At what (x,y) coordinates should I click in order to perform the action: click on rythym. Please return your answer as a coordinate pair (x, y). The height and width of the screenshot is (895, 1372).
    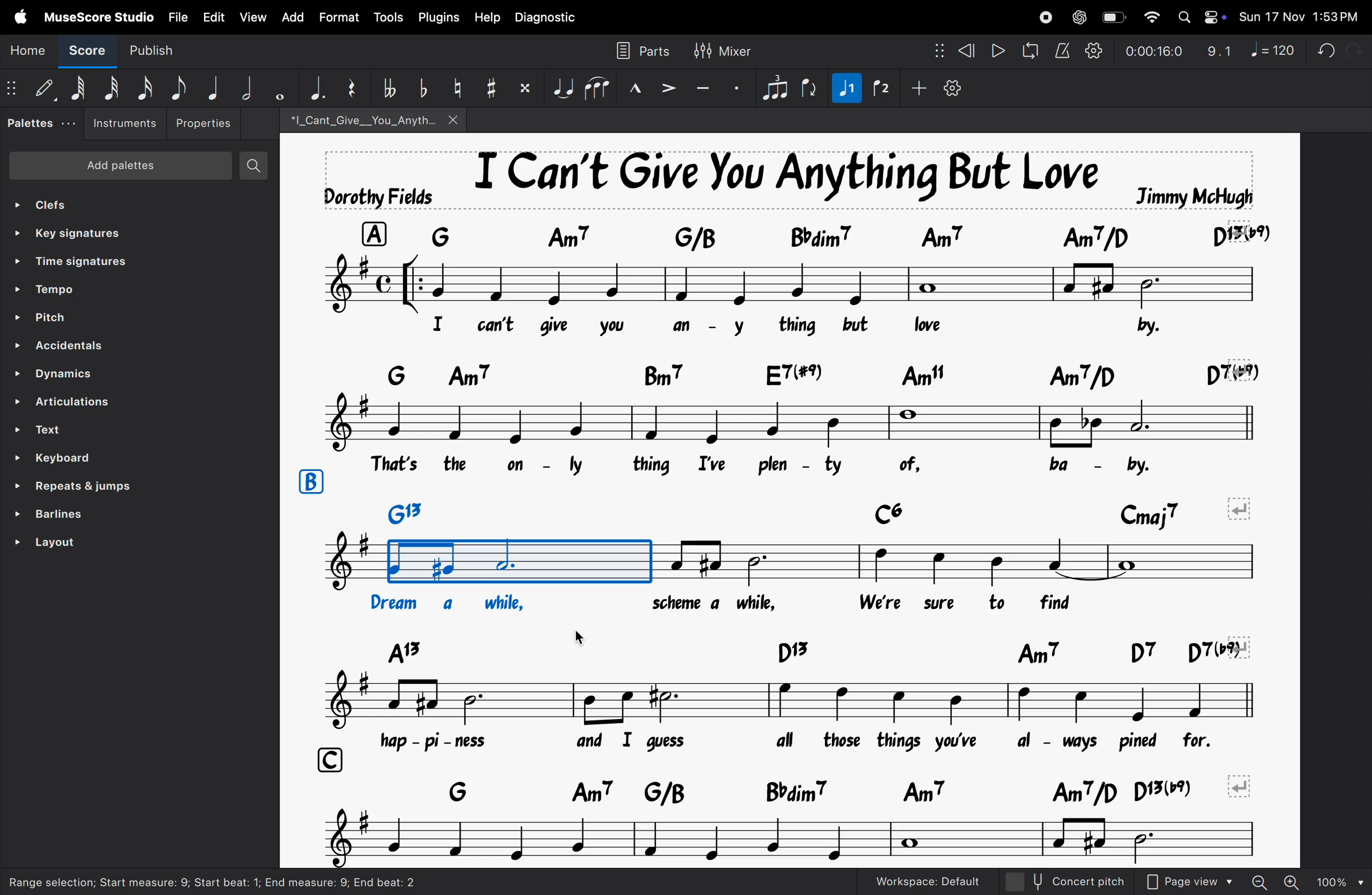
    Looking at the image, I should click on (844, 91).